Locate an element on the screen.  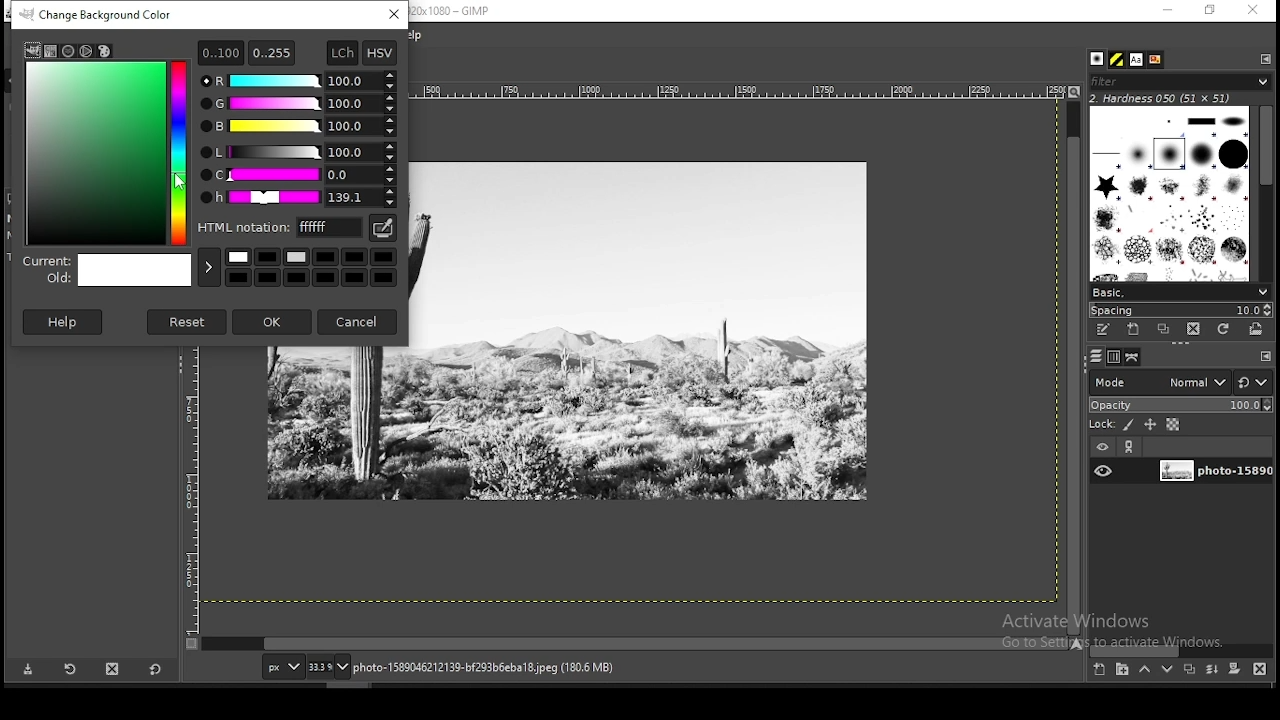
lch is located at coordinates (341, 53).